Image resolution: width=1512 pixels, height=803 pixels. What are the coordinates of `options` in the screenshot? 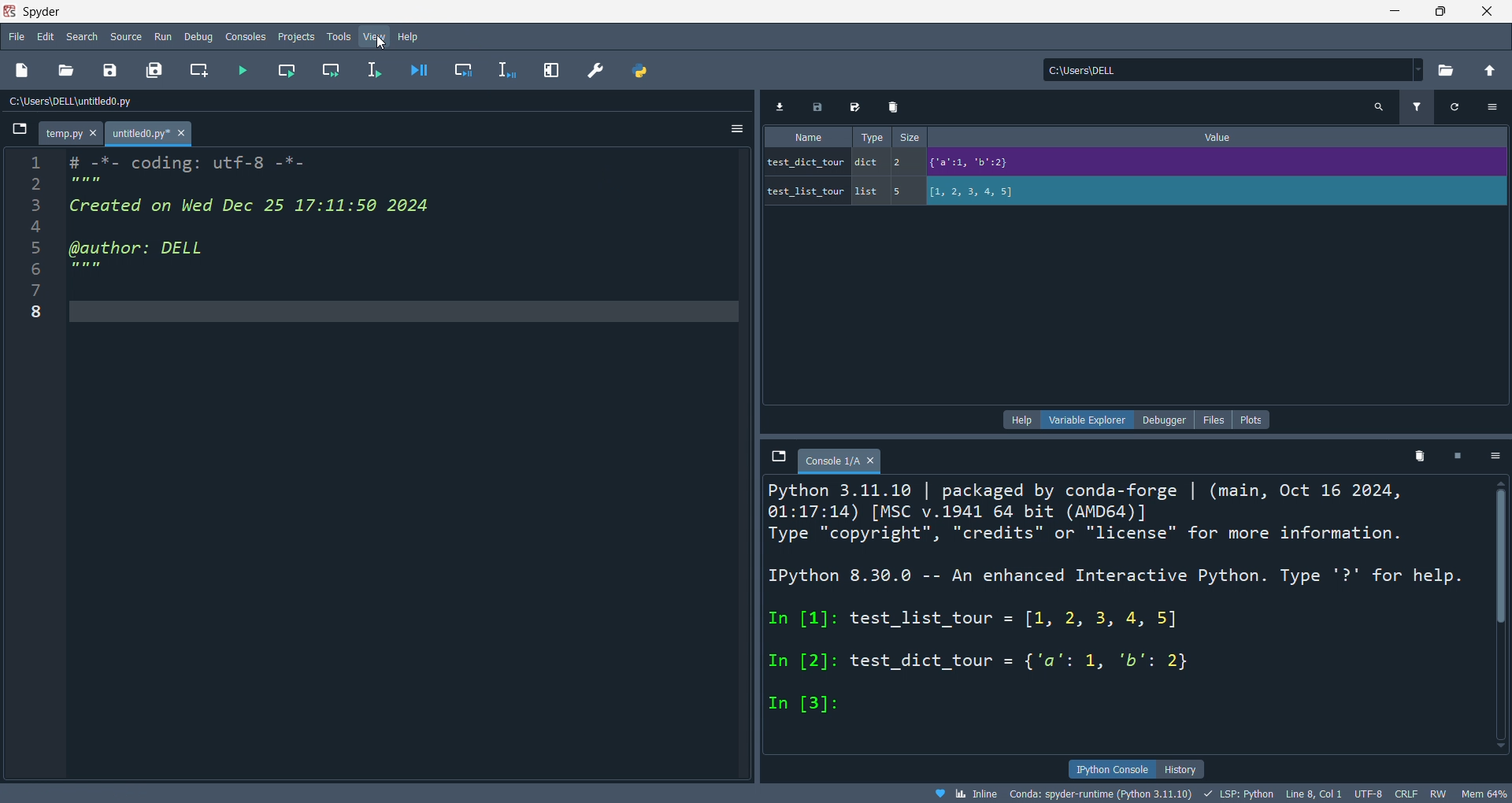 It's located at (732, 130).